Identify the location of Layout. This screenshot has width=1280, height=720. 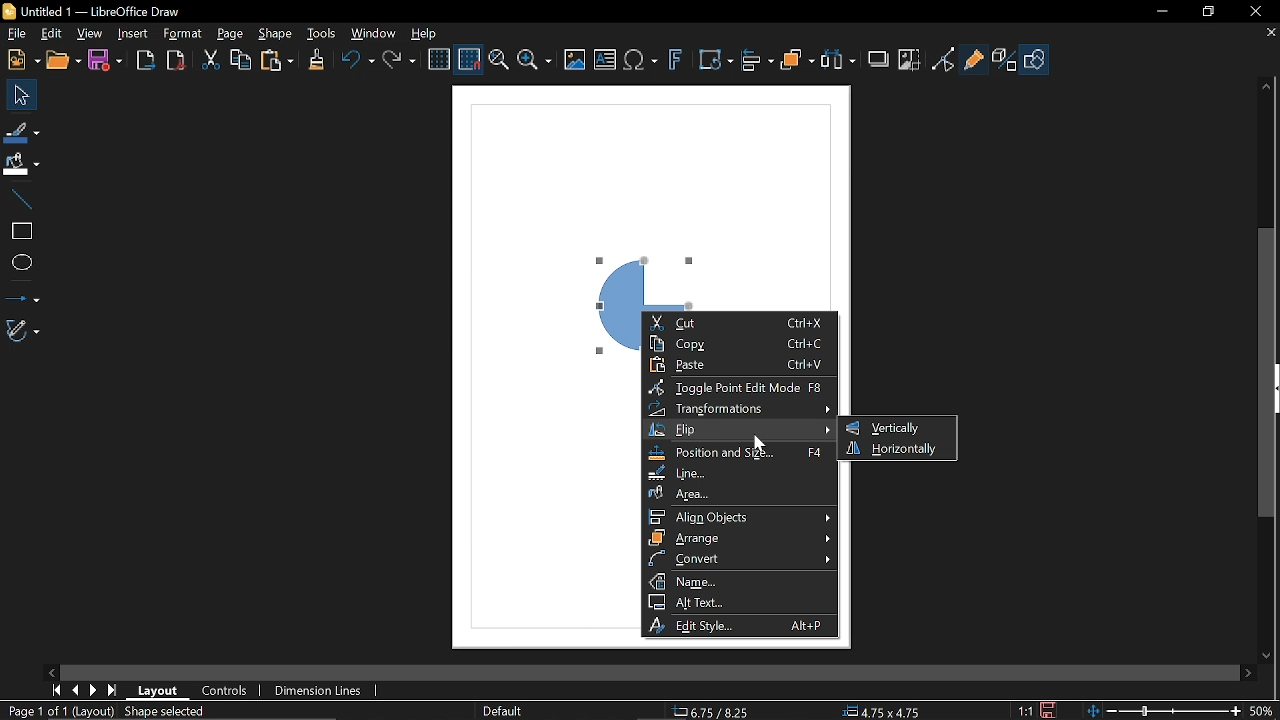
(160, 690).